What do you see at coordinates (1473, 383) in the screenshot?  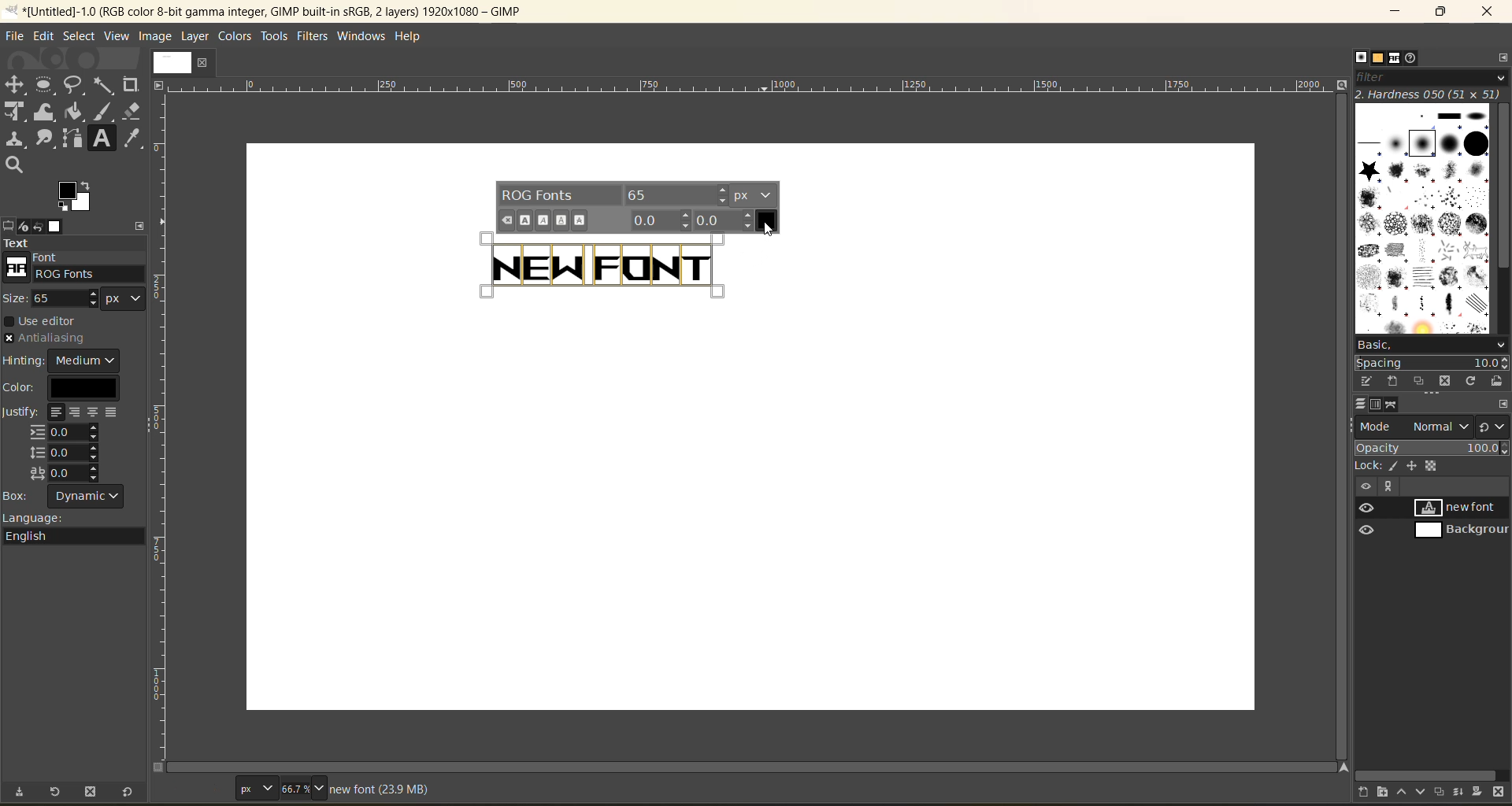 I see `refresh brushes` at bounding box center [1473, 383].